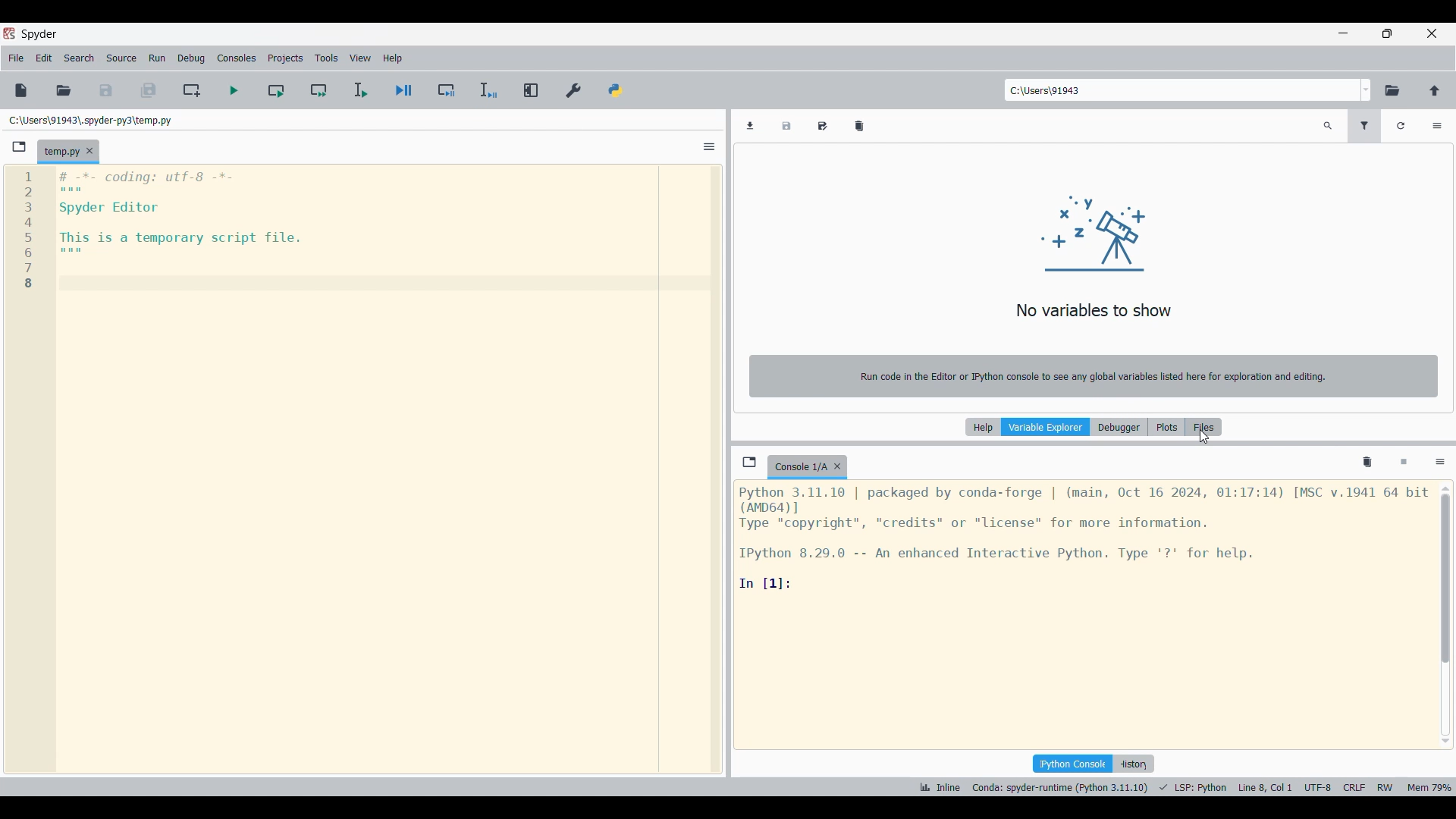 The height and width of the screenshot is (819, 1456). I want to click on Run selection/current line, so click(360, 90).